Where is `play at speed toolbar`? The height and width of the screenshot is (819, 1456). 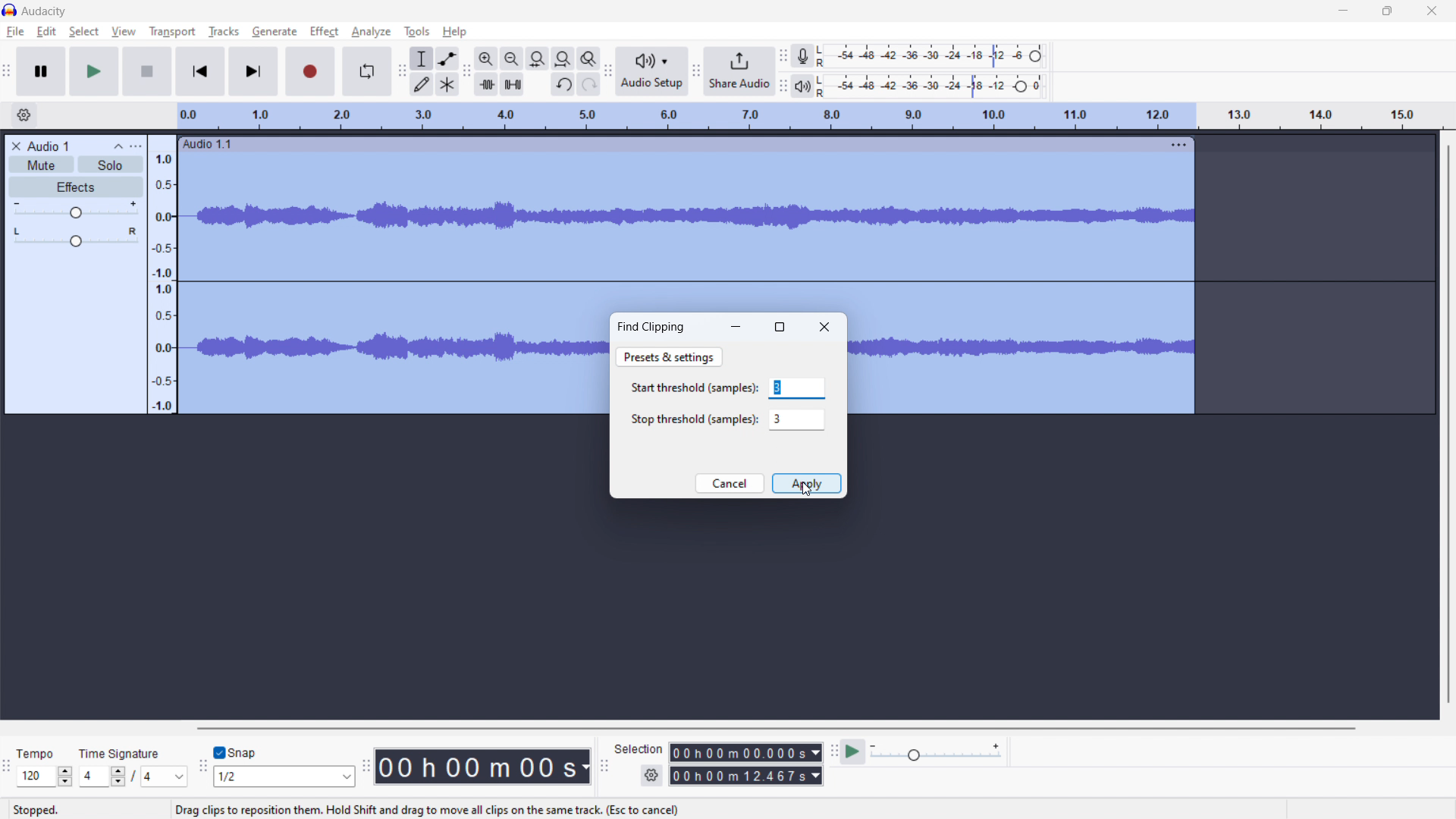 play at speed toolbar is located at coordinates (833, 751).